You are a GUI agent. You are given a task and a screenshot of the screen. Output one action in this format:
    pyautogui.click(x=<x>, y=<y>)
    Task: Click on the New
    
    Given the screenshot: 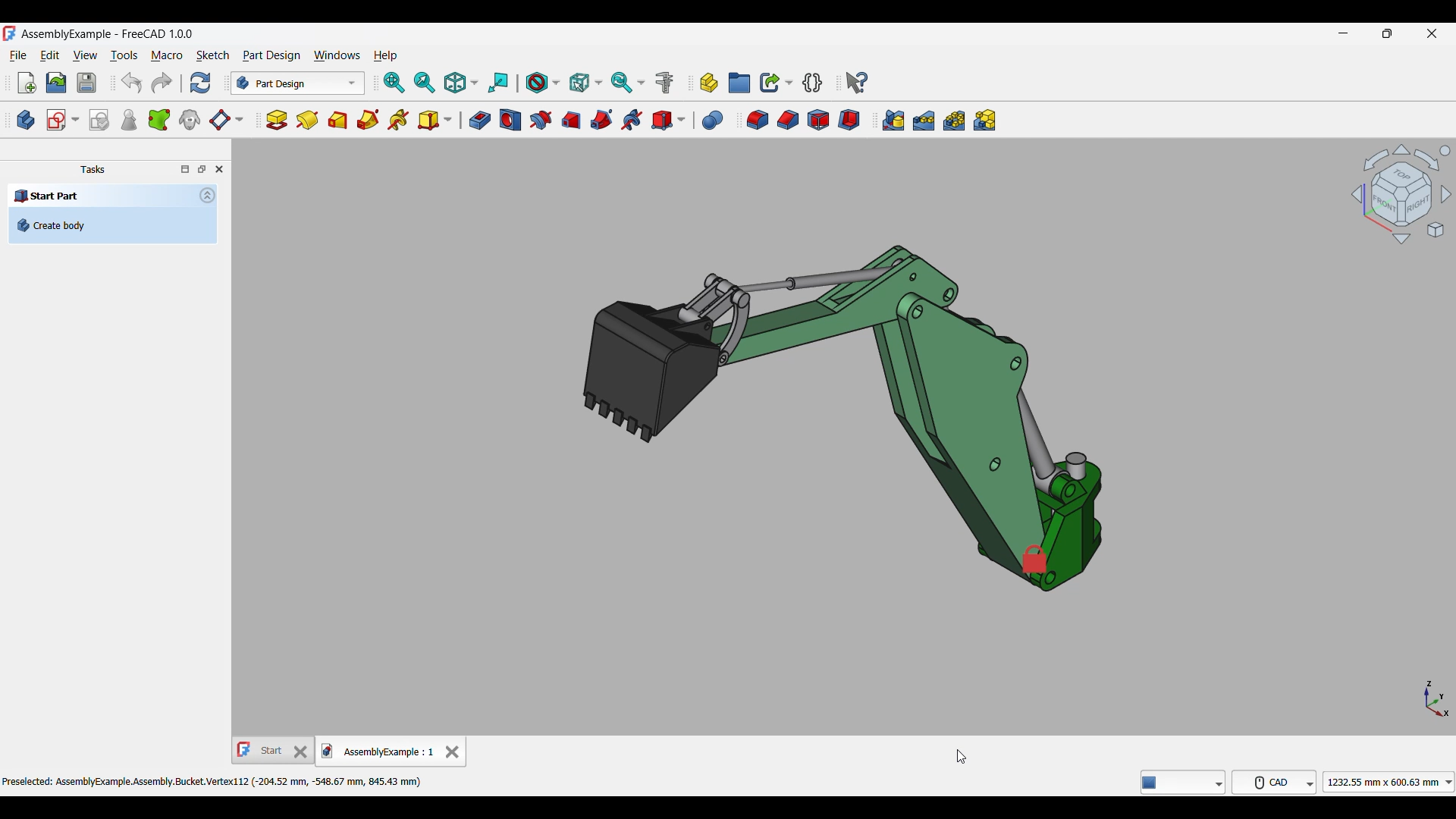 What is the action you would take?
    pyautogui.click(x=27, y=83)
    